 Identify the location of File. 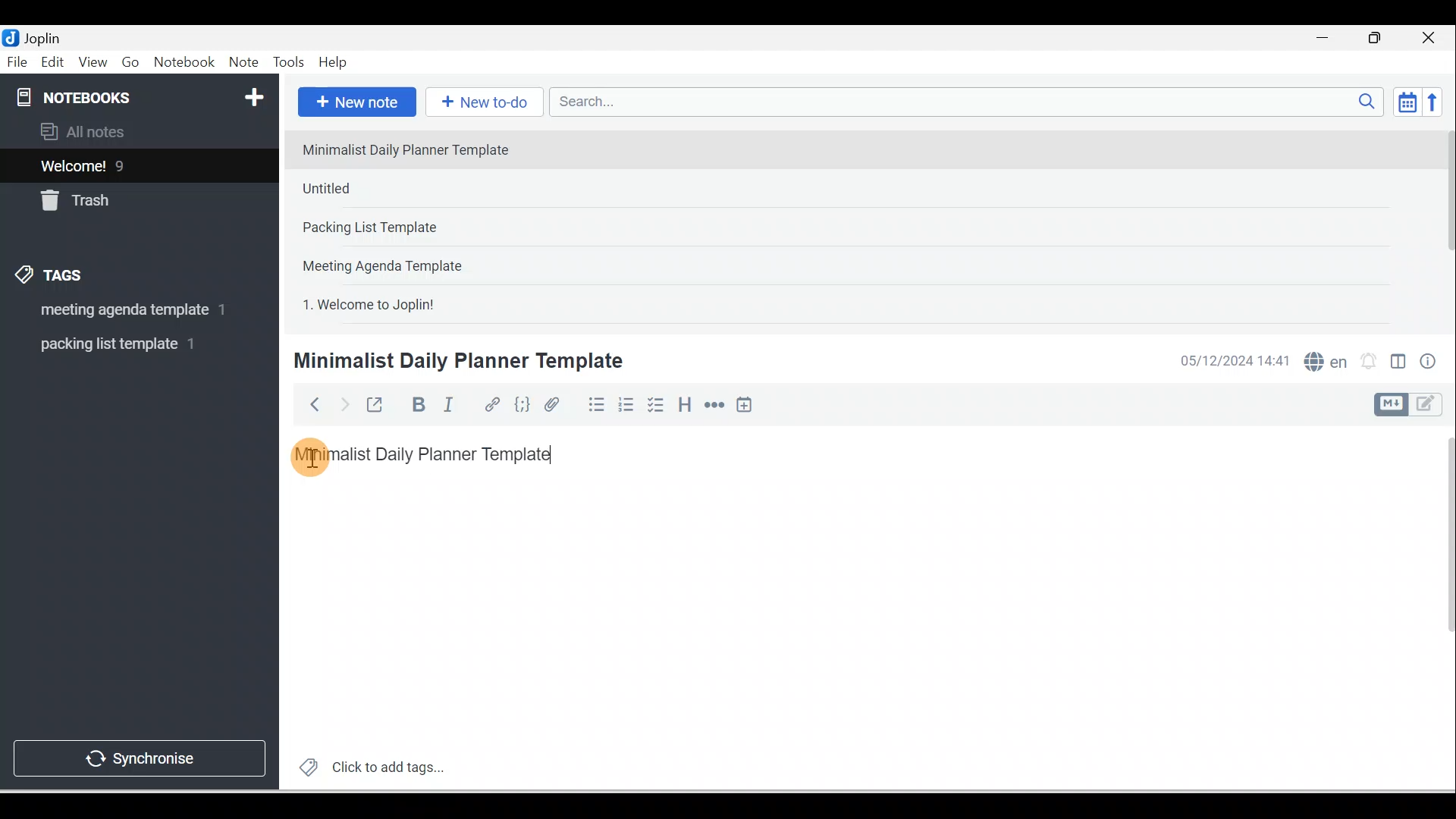
(18, 61).